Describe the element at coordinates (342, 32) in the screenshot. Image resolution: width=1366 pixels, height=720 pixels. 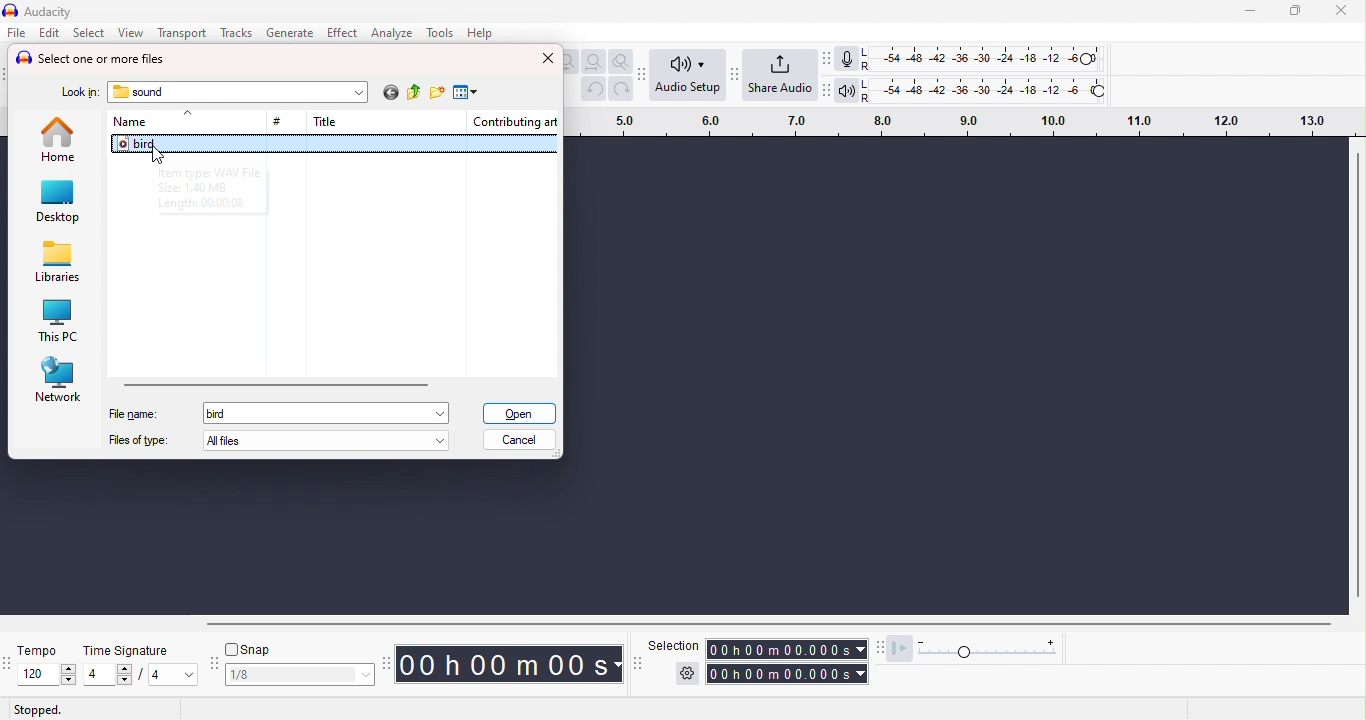
I see `effect` at that location.